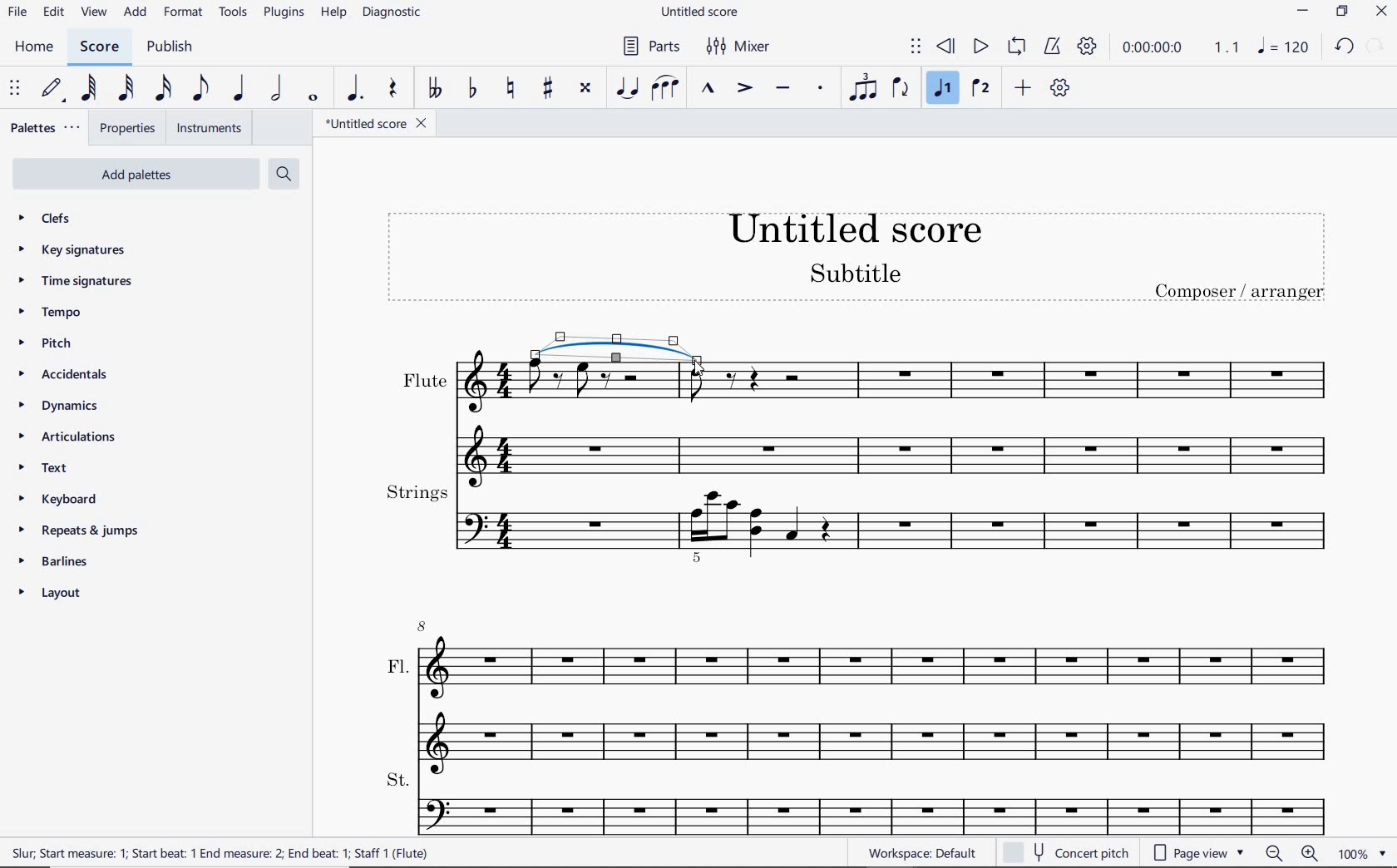  What do you see at coordinates (280, 89) in the screenshot?
I see `HALF NOTE` at bounding box center [280, 89].